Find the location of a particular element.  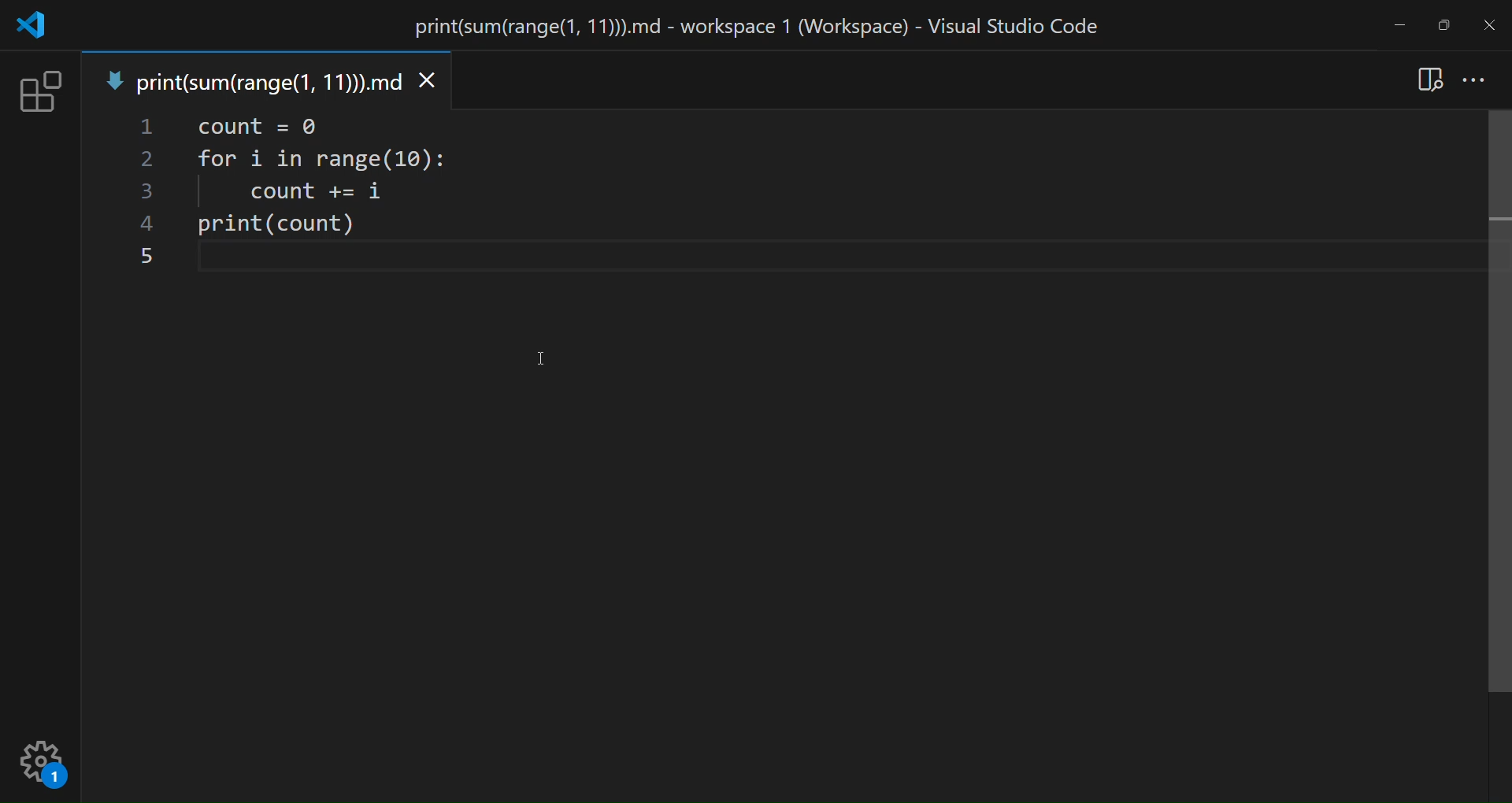

more is located at coordinates (1477, 80).